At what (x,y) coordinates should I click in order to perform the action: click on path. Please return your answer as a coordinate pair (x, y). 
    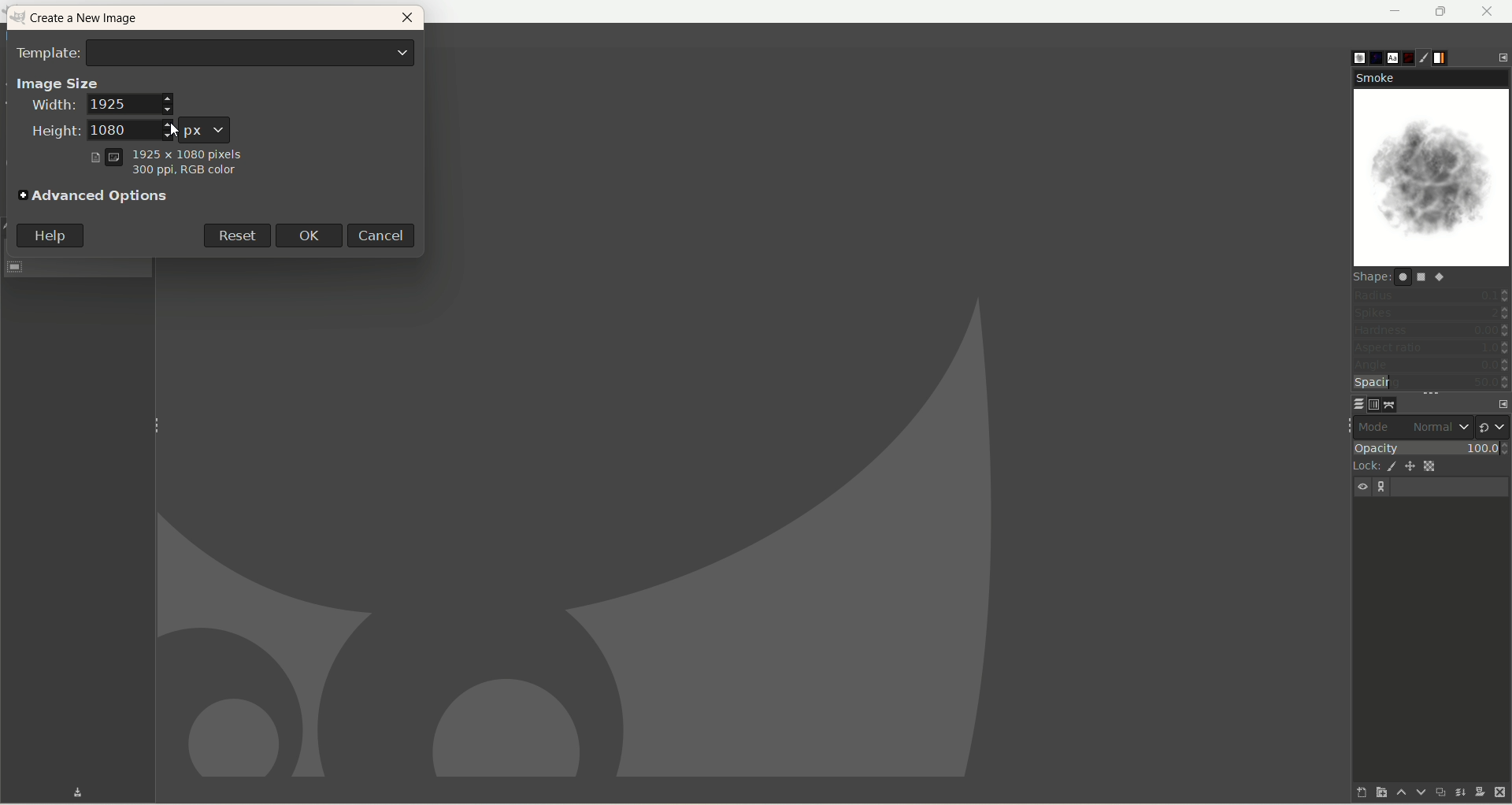
    Looking at the image, I should click on (1391, 404).